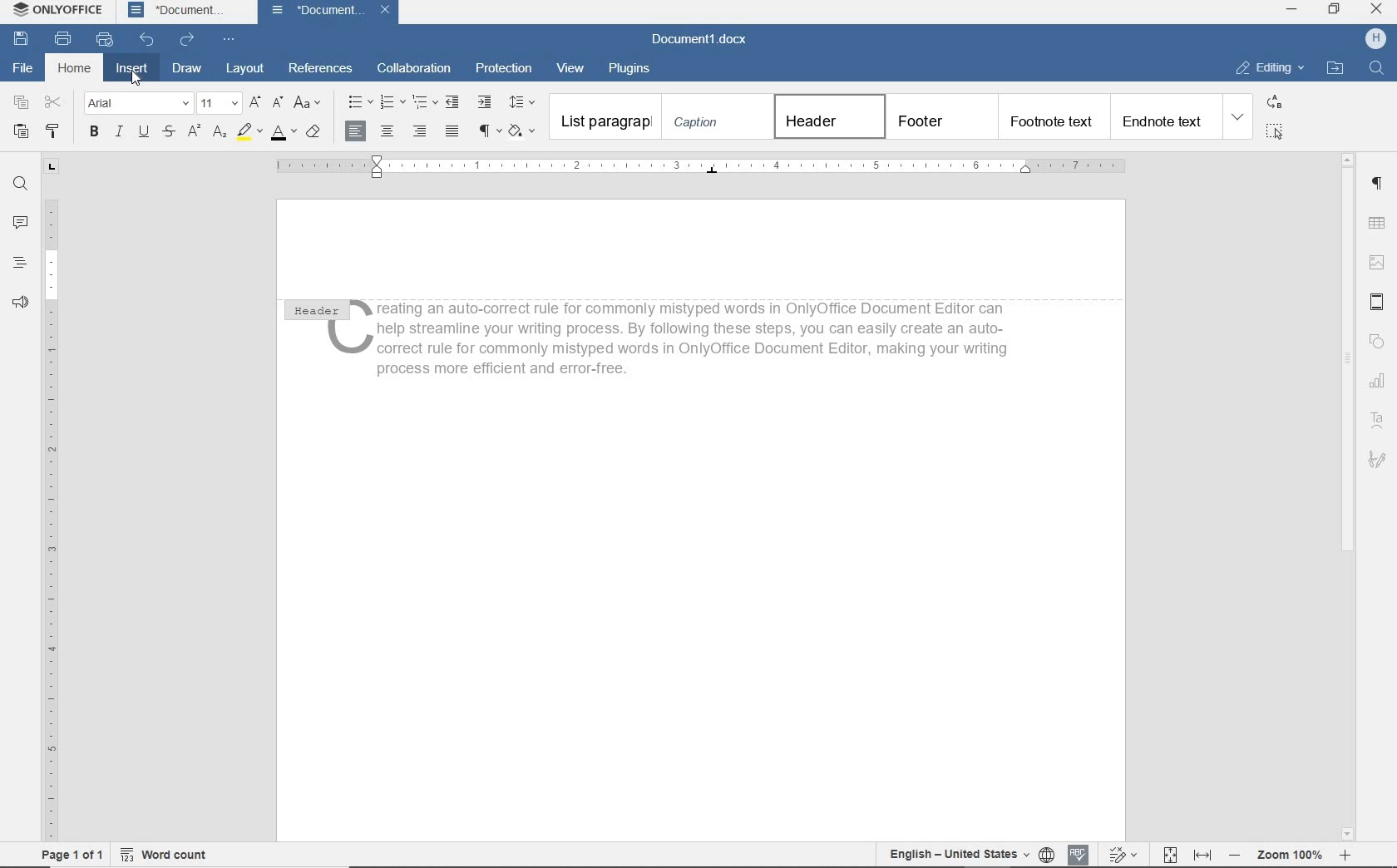 The width and height of the screenshot is (1397, 868). What do you see at coordinates (1380, 382) in the screenshot?
I see `Chart` at bounding box center [1380, 382].